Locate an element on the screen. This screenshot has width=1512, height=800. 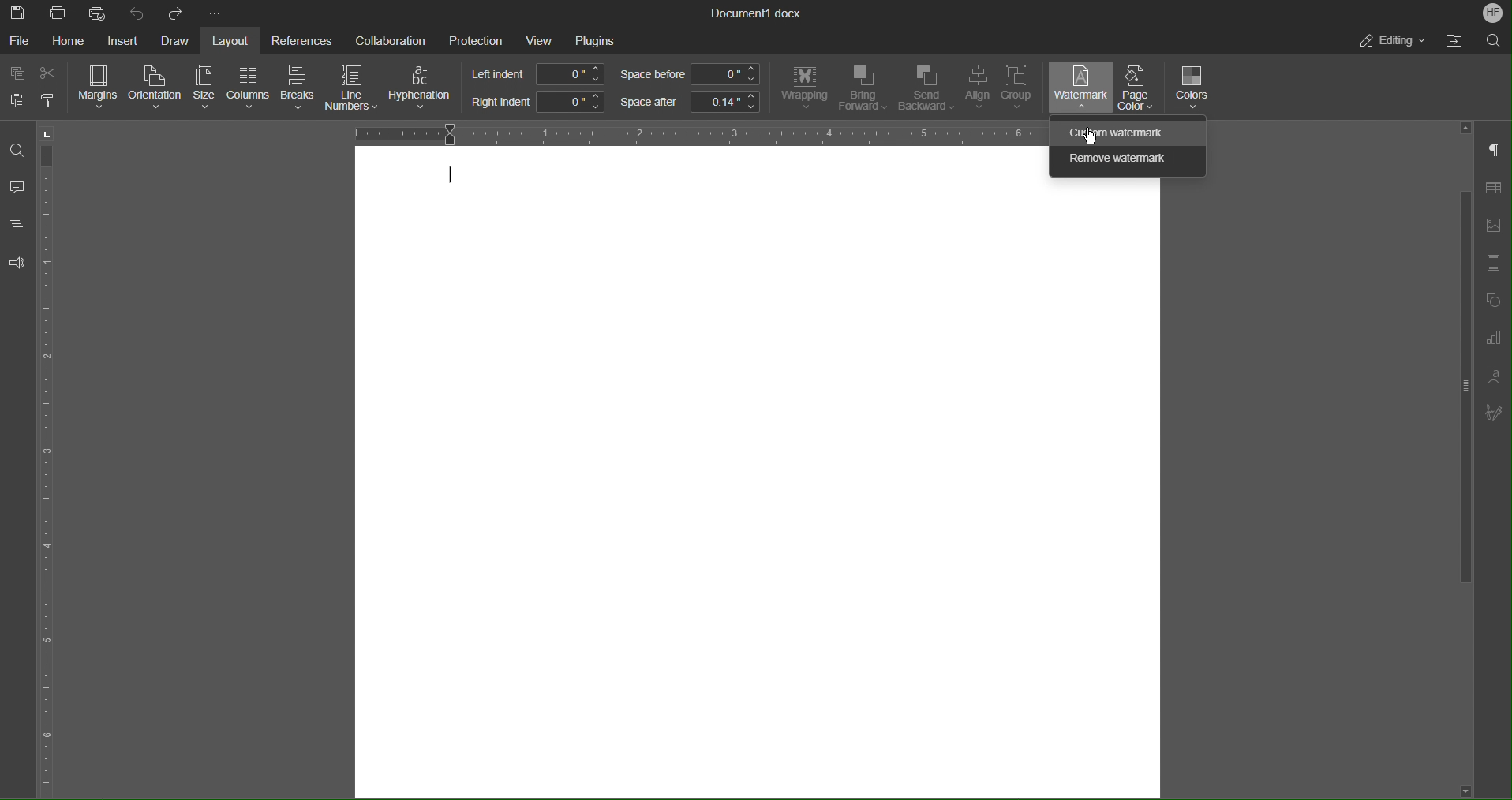
Right indent is located at coordinates (537, 102).